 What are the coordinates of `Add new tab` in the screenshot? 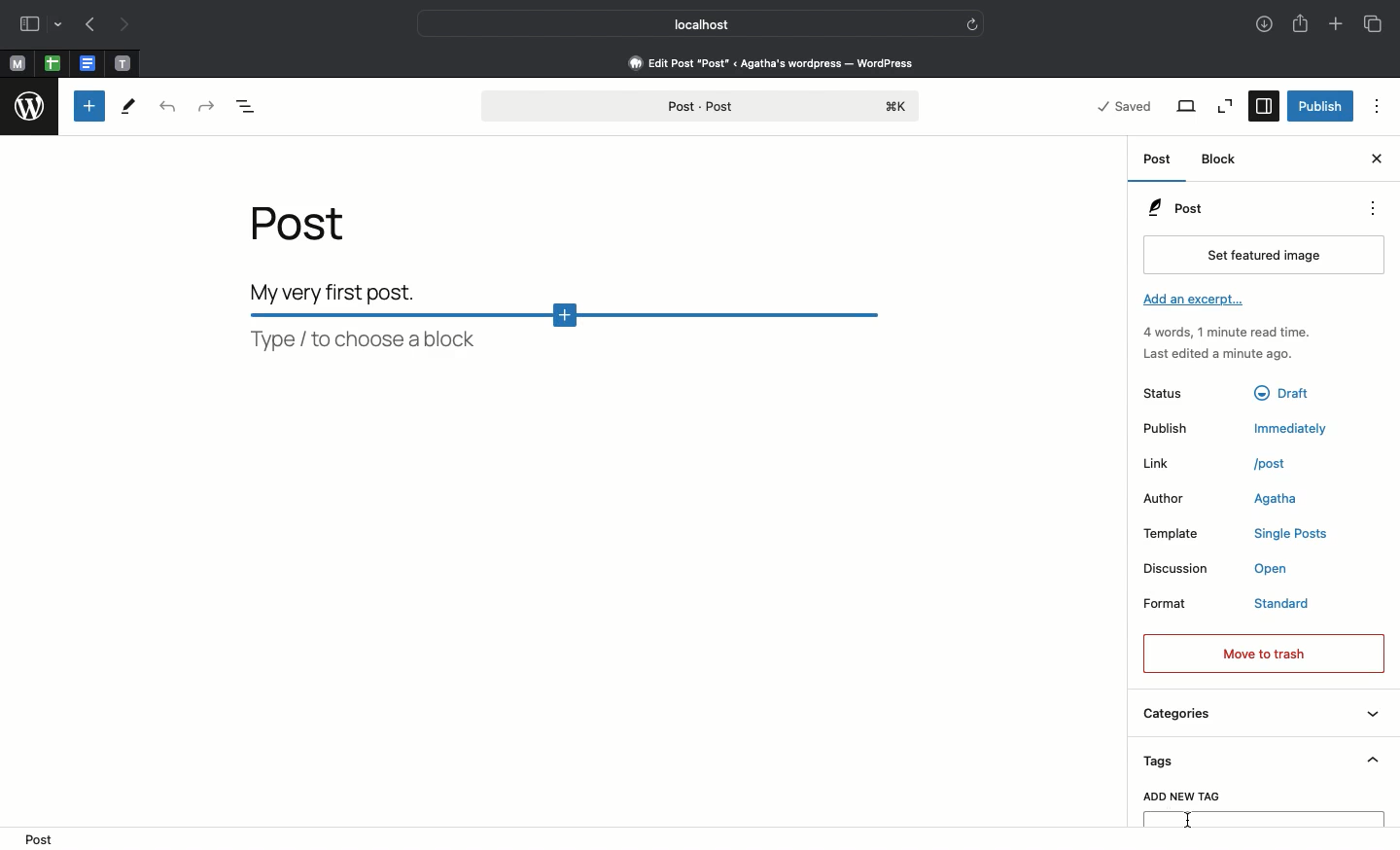 It's located at (1338, 27).